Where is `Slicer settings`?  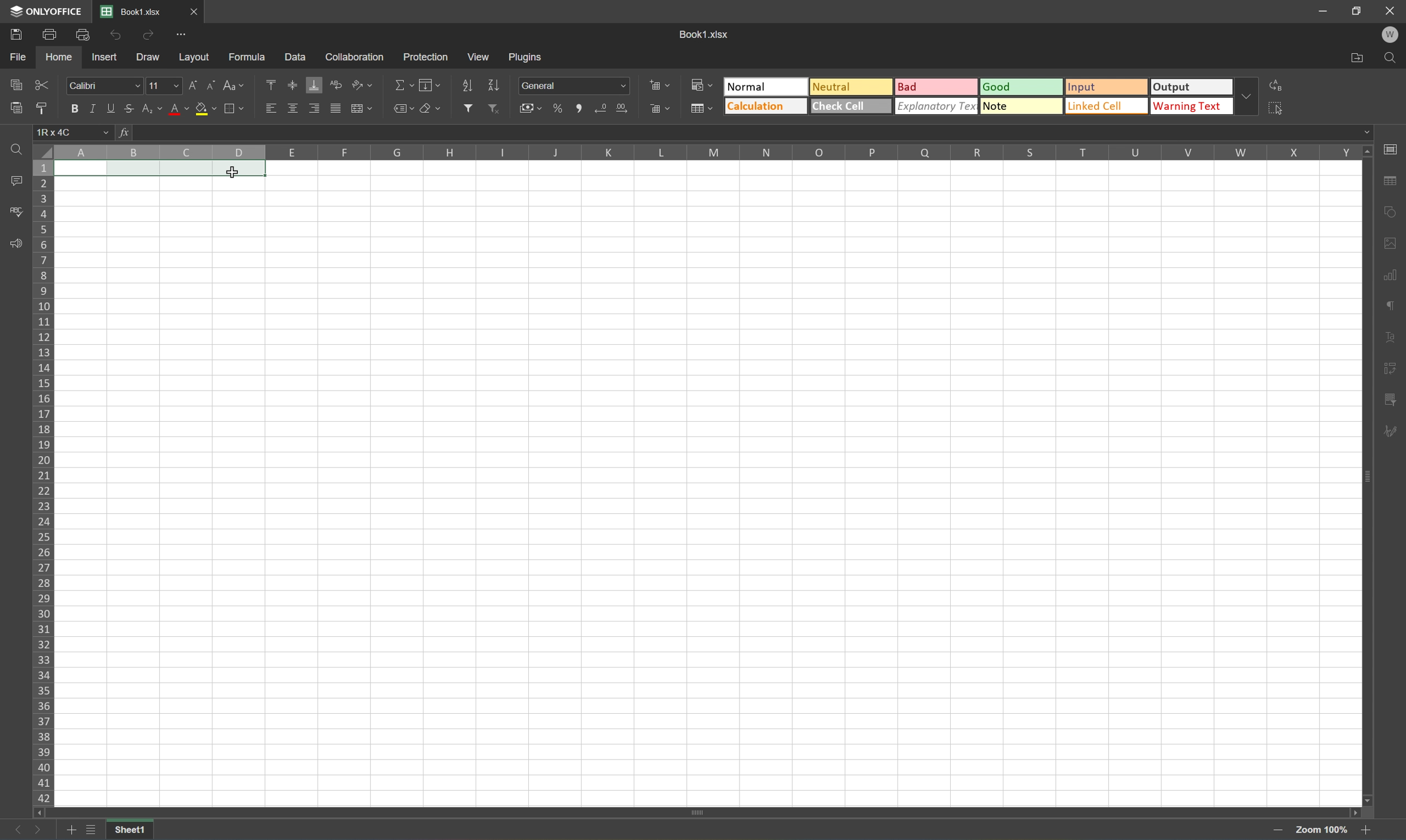 Slicer settings is located at coordinates (1390, 370).